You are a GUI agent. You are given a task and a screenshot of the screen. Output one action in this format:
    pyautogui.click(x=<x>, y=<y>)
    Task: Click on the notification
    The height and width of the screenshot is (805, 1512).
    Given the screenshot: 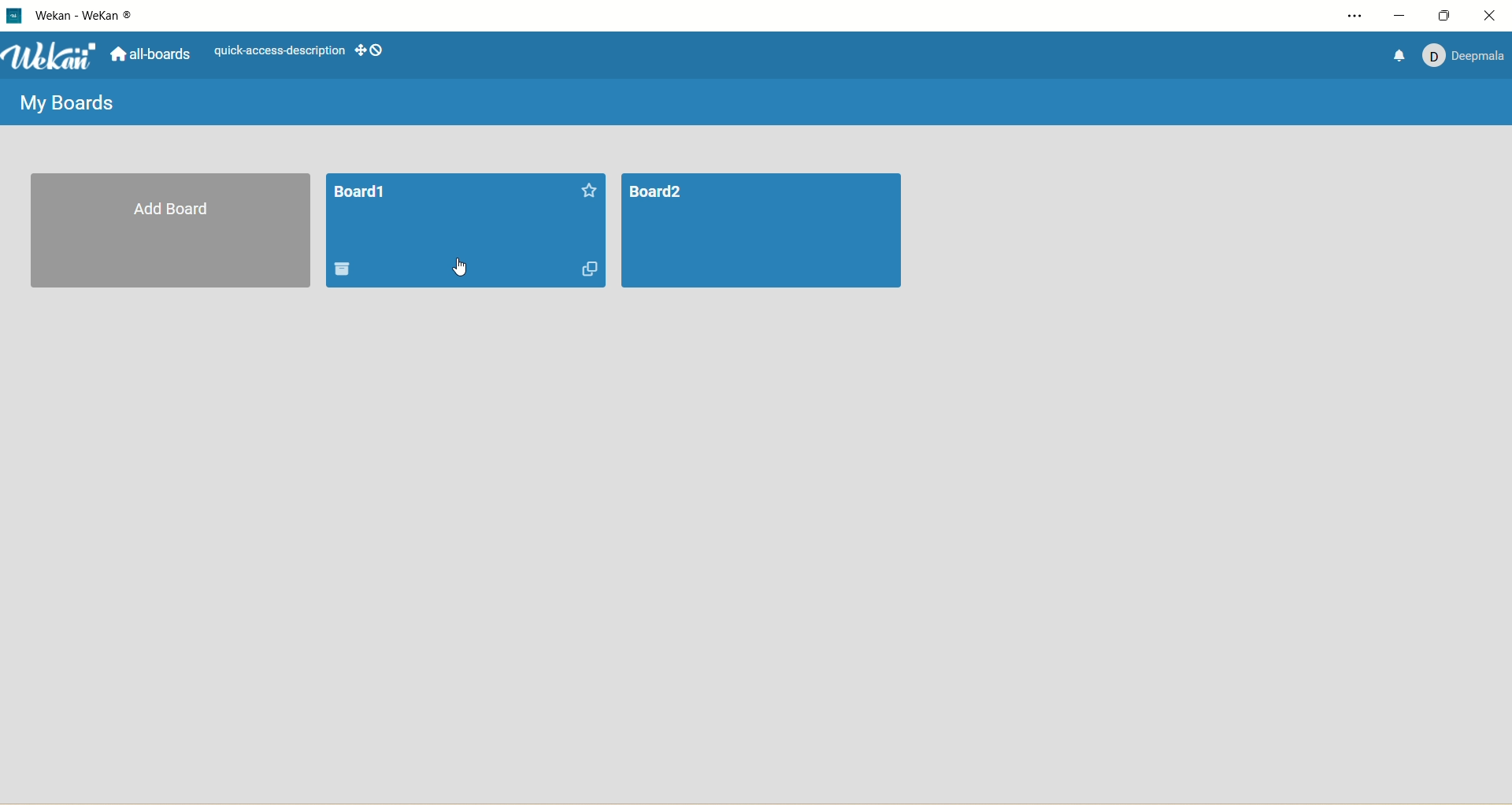 What is the action you would take?
    pyautogui.click(x=1393, y=54)
    